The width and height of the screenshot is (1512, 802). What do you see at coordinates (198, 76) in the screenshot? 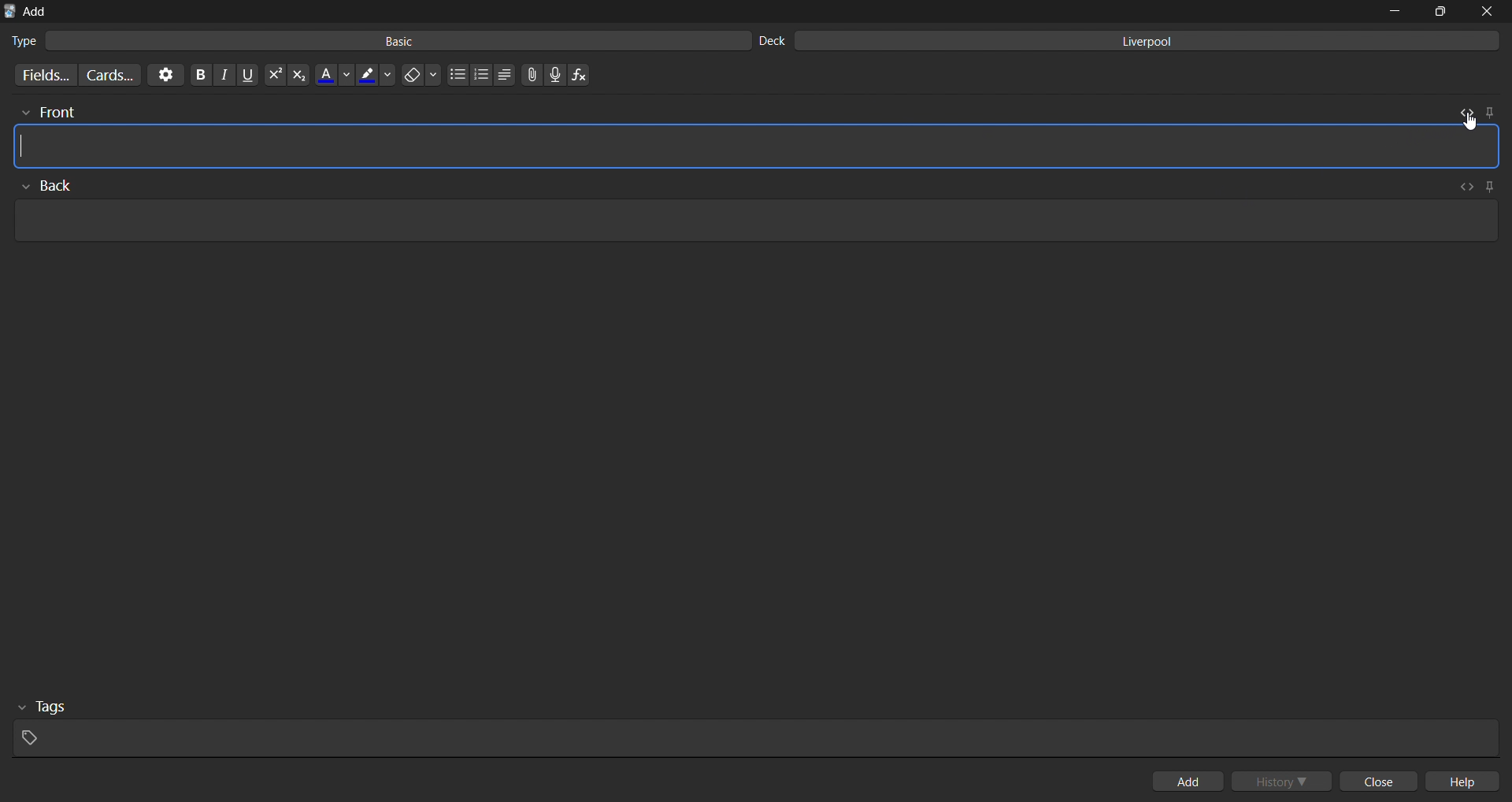
I see `bold` at bounding box center [198, 76].